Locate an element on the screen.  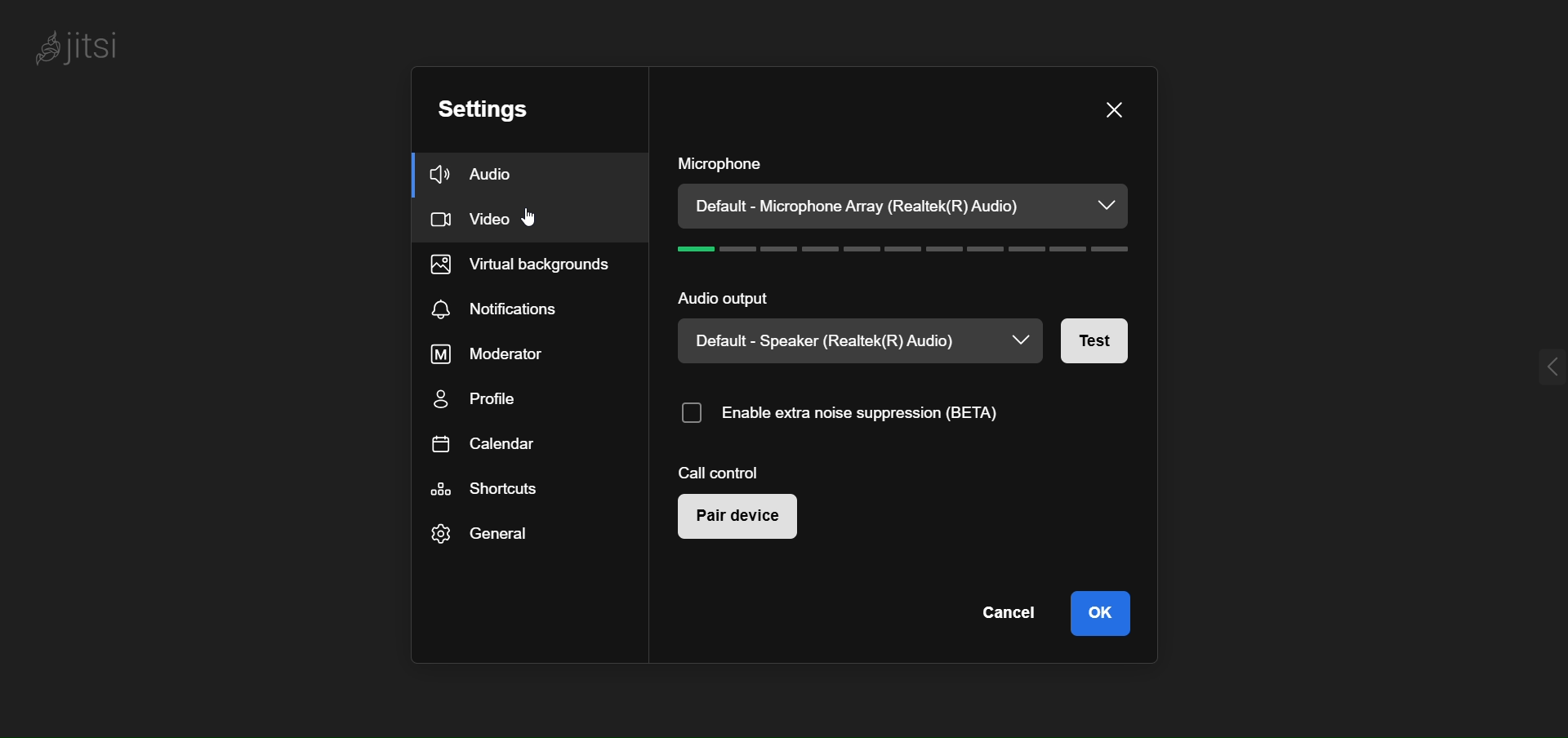
virtual background is located at coordinates (532, 263).